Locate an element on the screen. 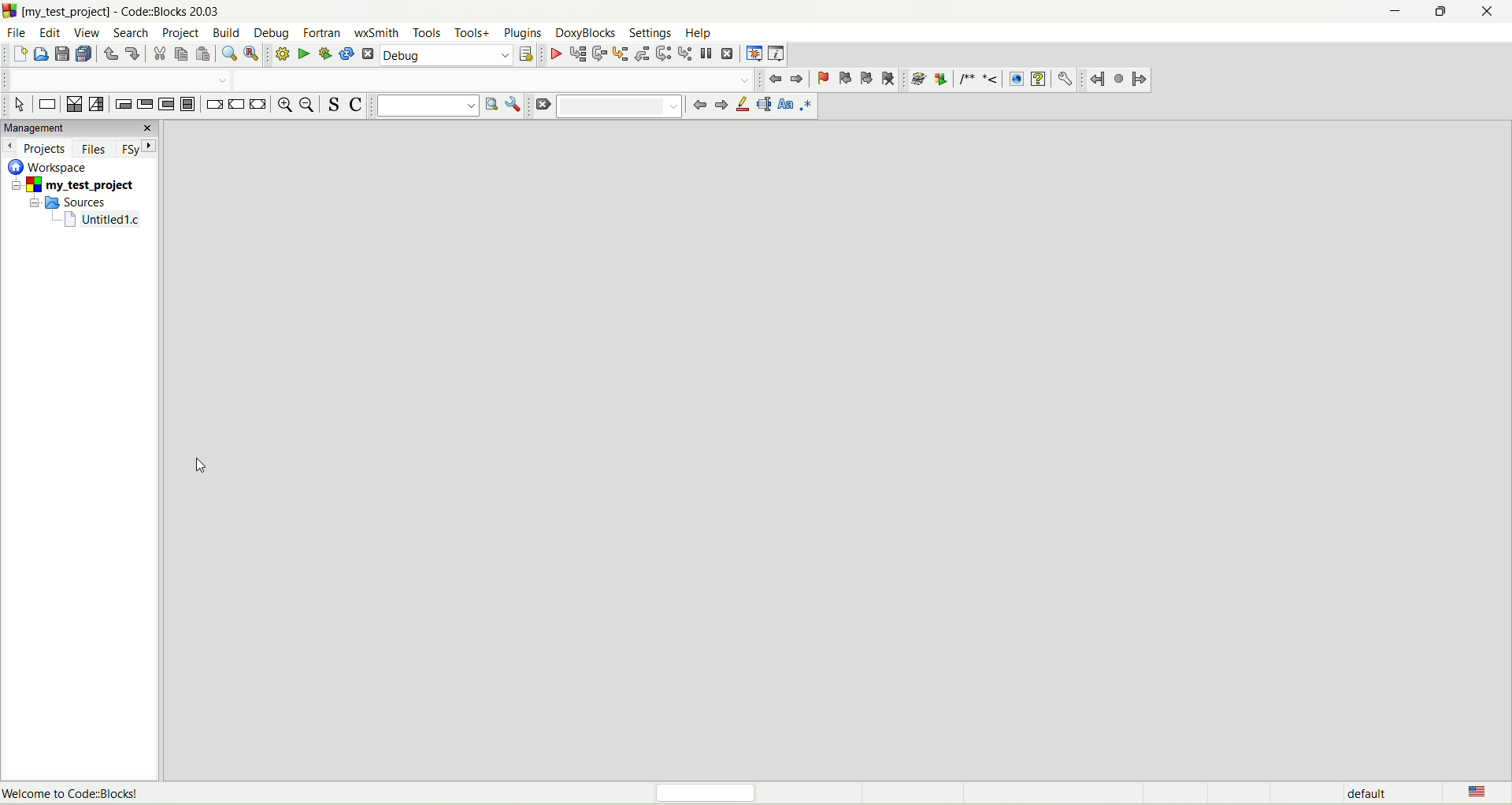  paste is located at coordinates (204, 54).